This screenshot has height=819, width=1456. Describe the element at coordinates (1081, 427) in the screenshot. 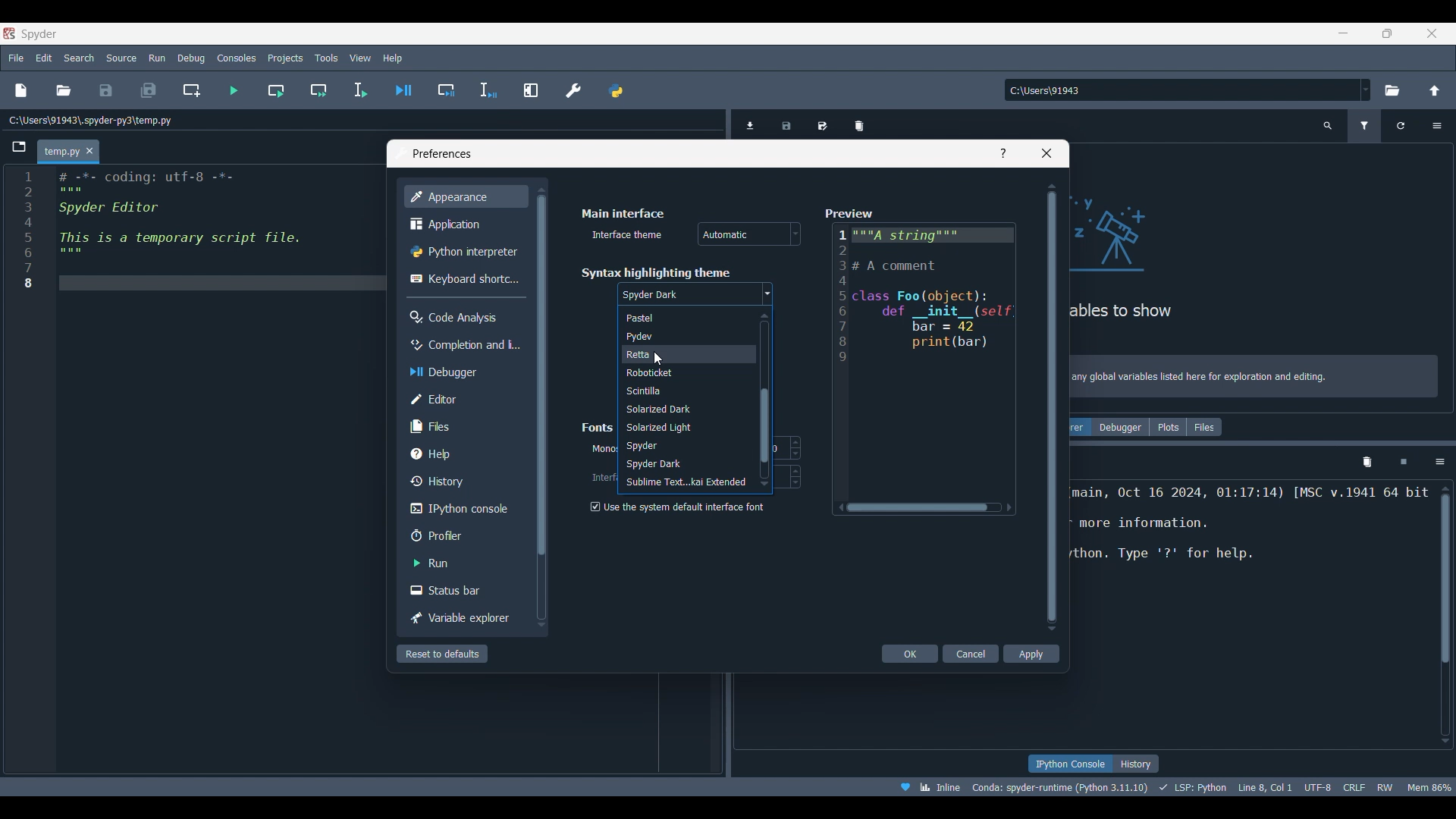

I see `Variable explorer, current selection highlighted` at that location.